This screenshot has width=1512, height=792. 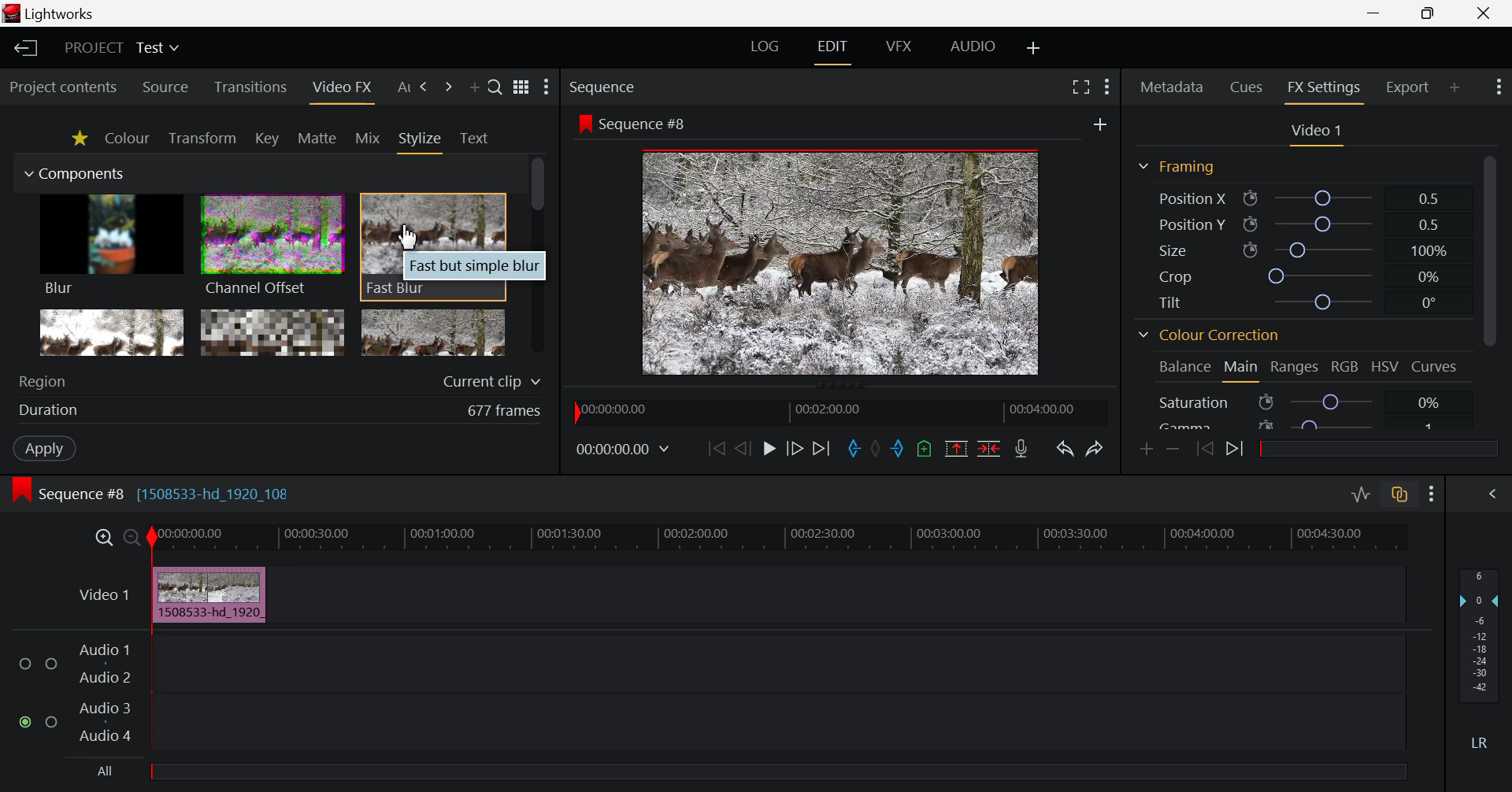 I want to click on Delete/Cut, so click(x=991, y=449).